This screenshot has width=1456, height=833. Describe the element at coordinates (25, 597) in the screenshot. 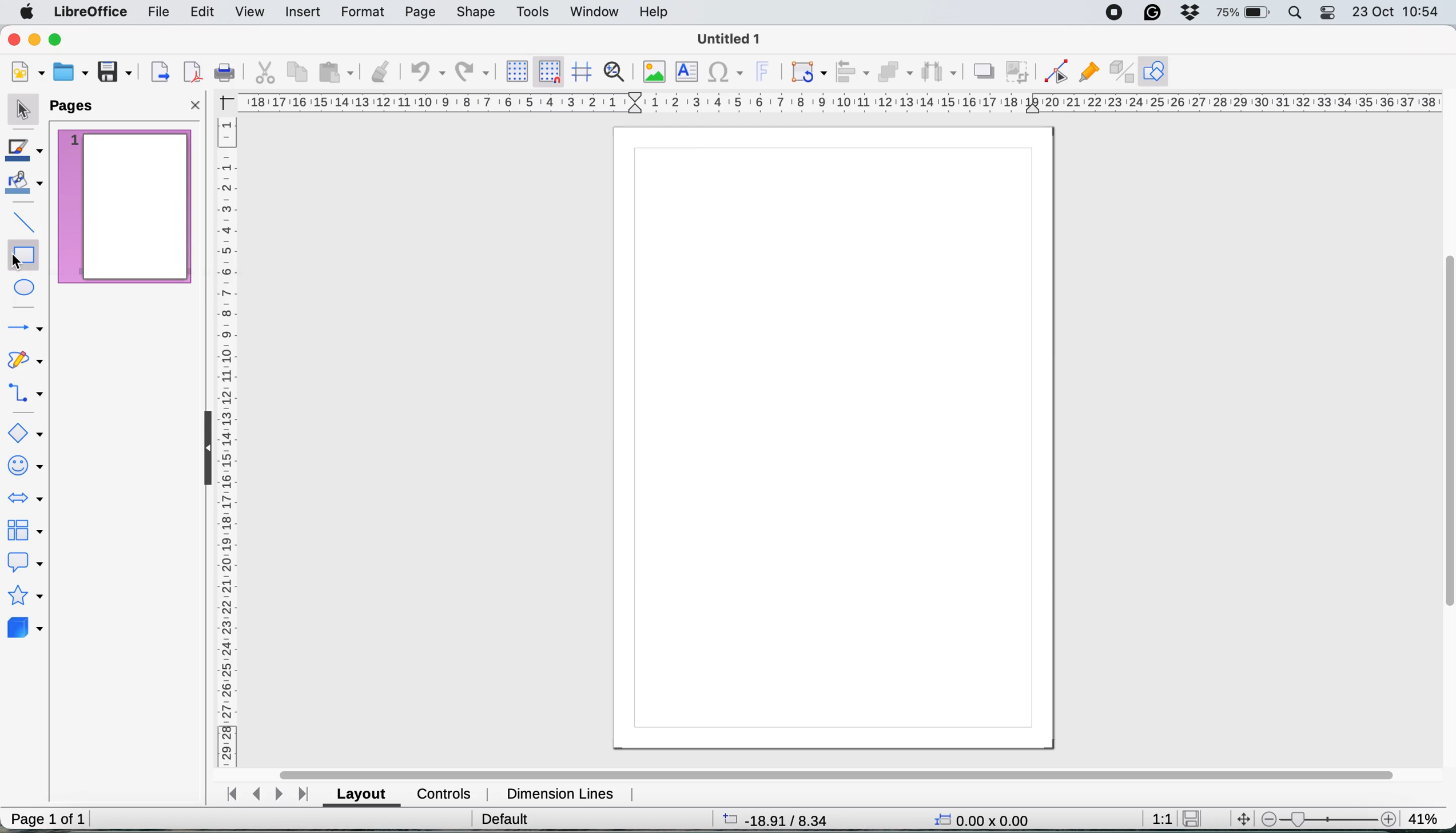

I see `stars and banners` at that location.